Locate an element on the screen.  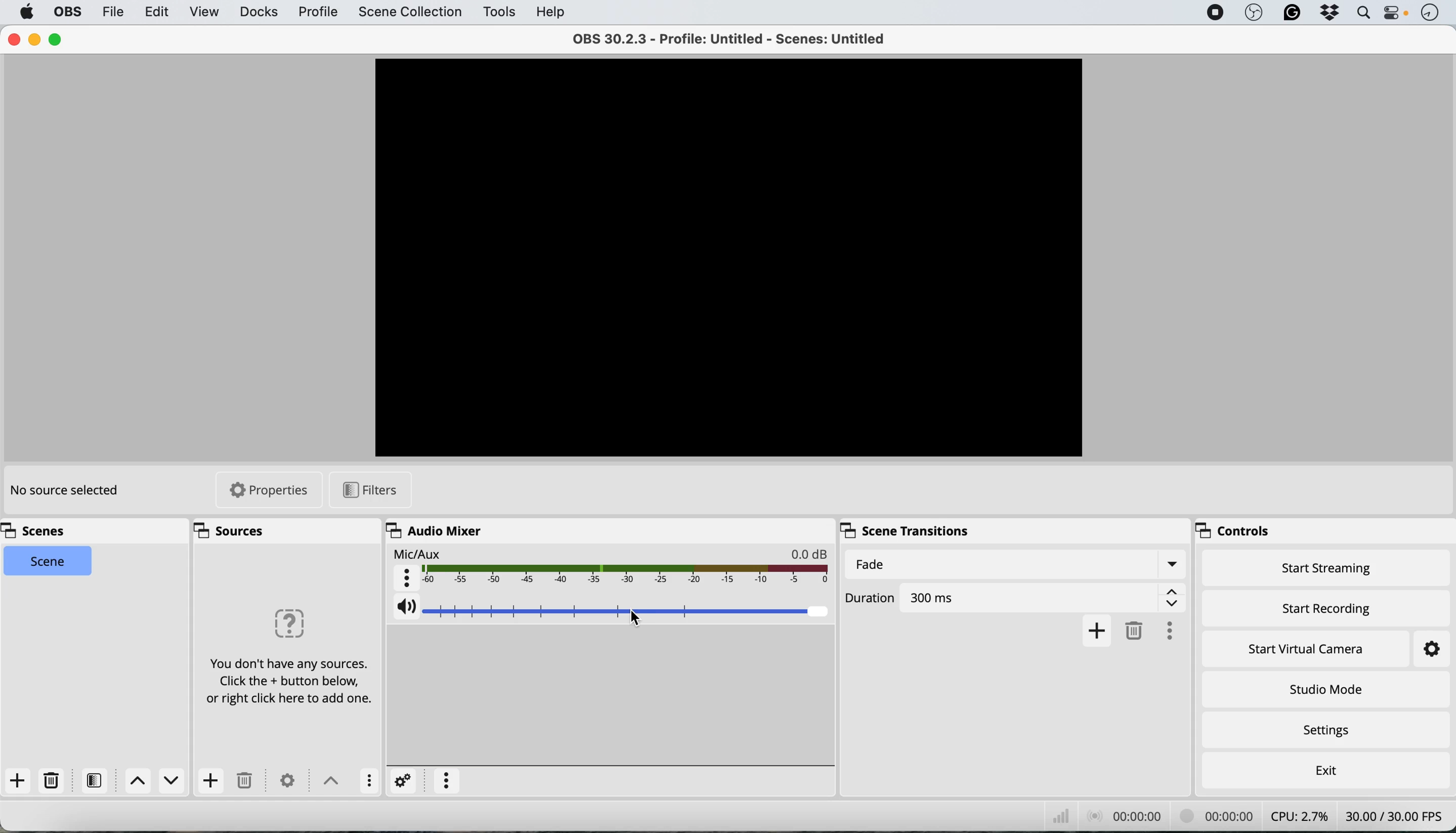
properties is located at coordinates (270, 490).